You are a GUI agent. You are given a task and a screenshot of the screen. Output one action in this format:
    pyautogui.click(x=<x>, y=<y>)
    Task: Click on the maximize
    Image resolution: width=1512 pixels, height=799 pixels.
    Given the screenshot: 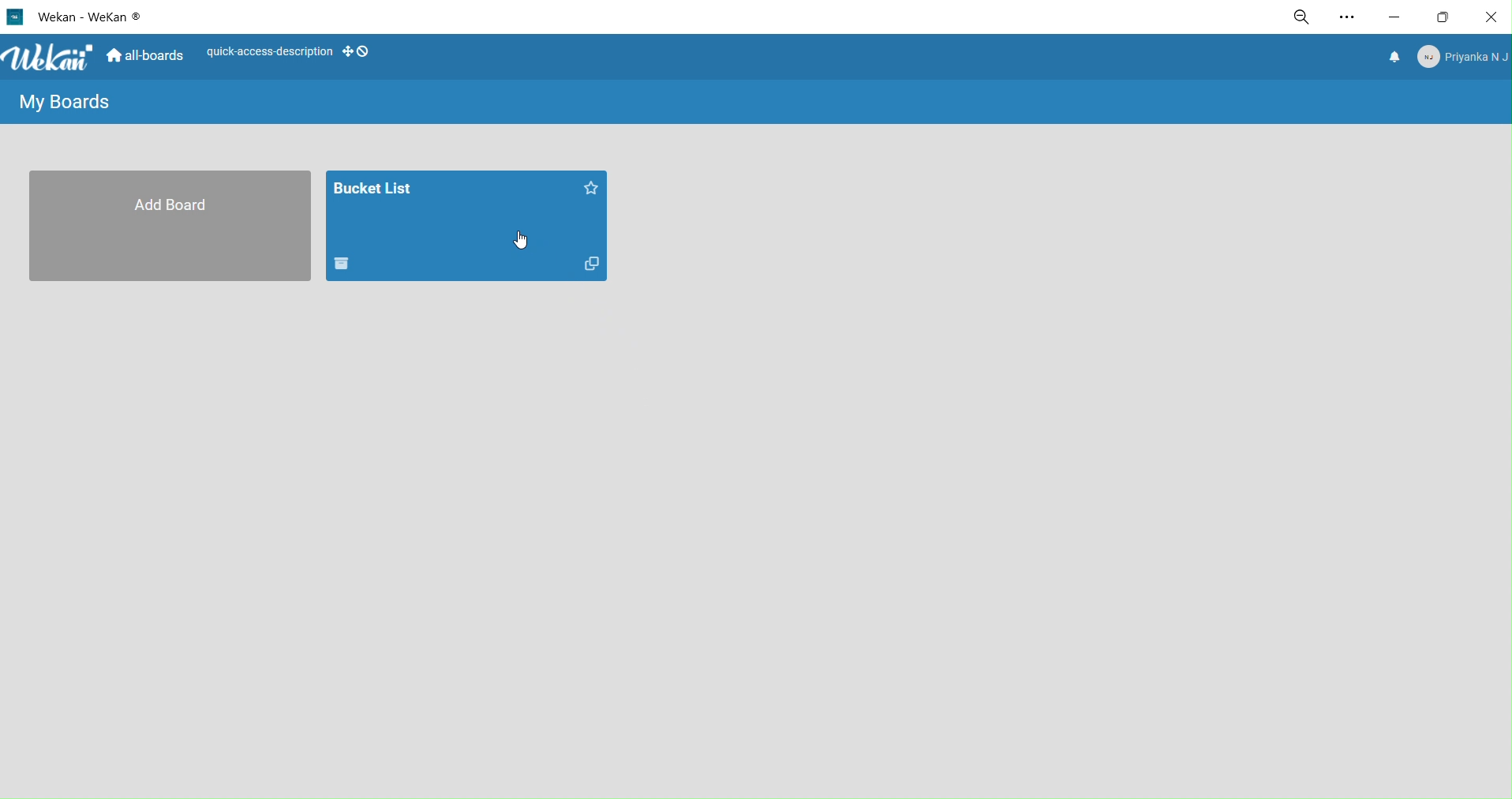 What is the action you would take?
    pyautogui.click(x=1442, y=17)
    